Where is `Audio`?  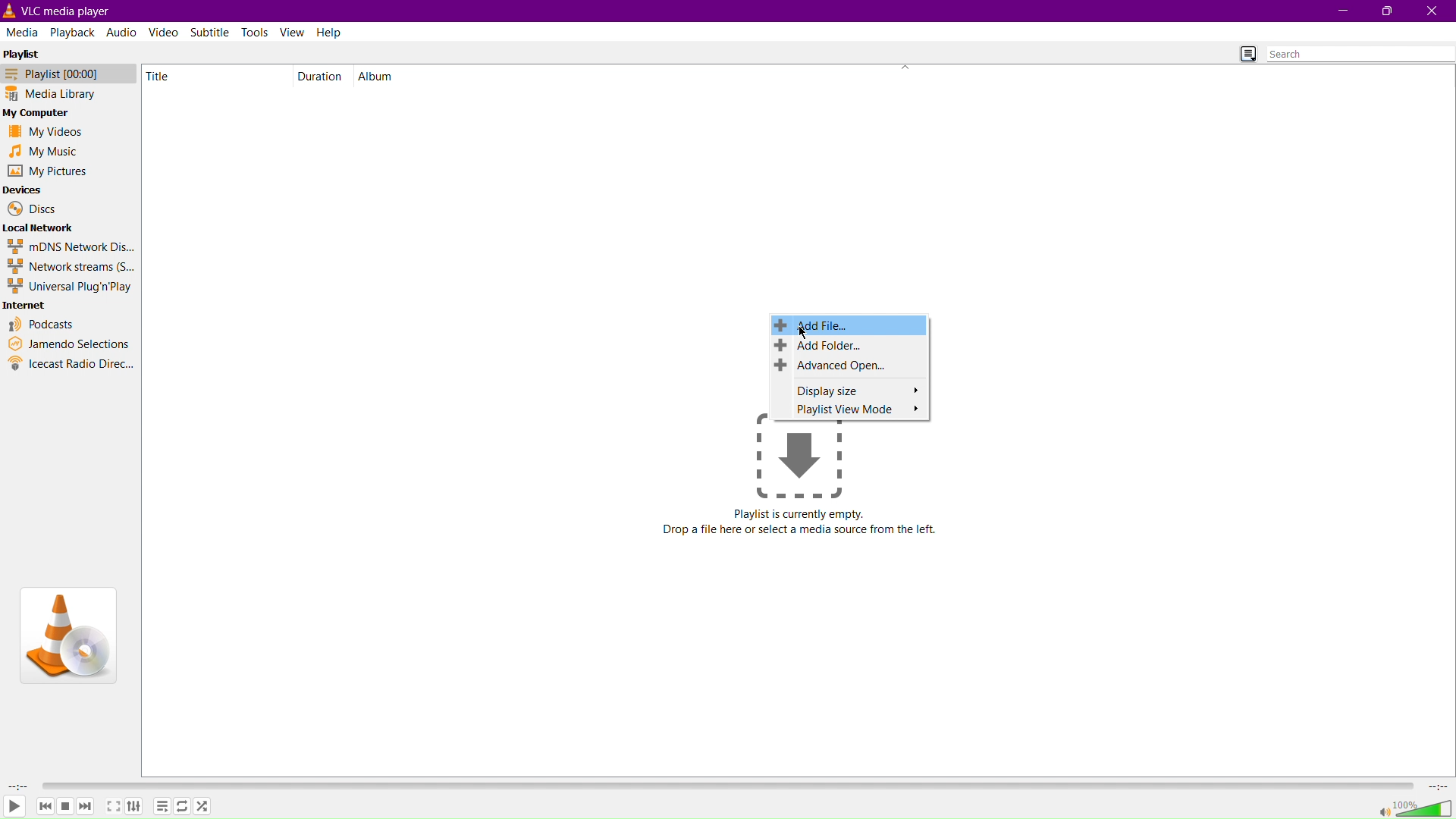 Audio is located at coordinates (121, 32).